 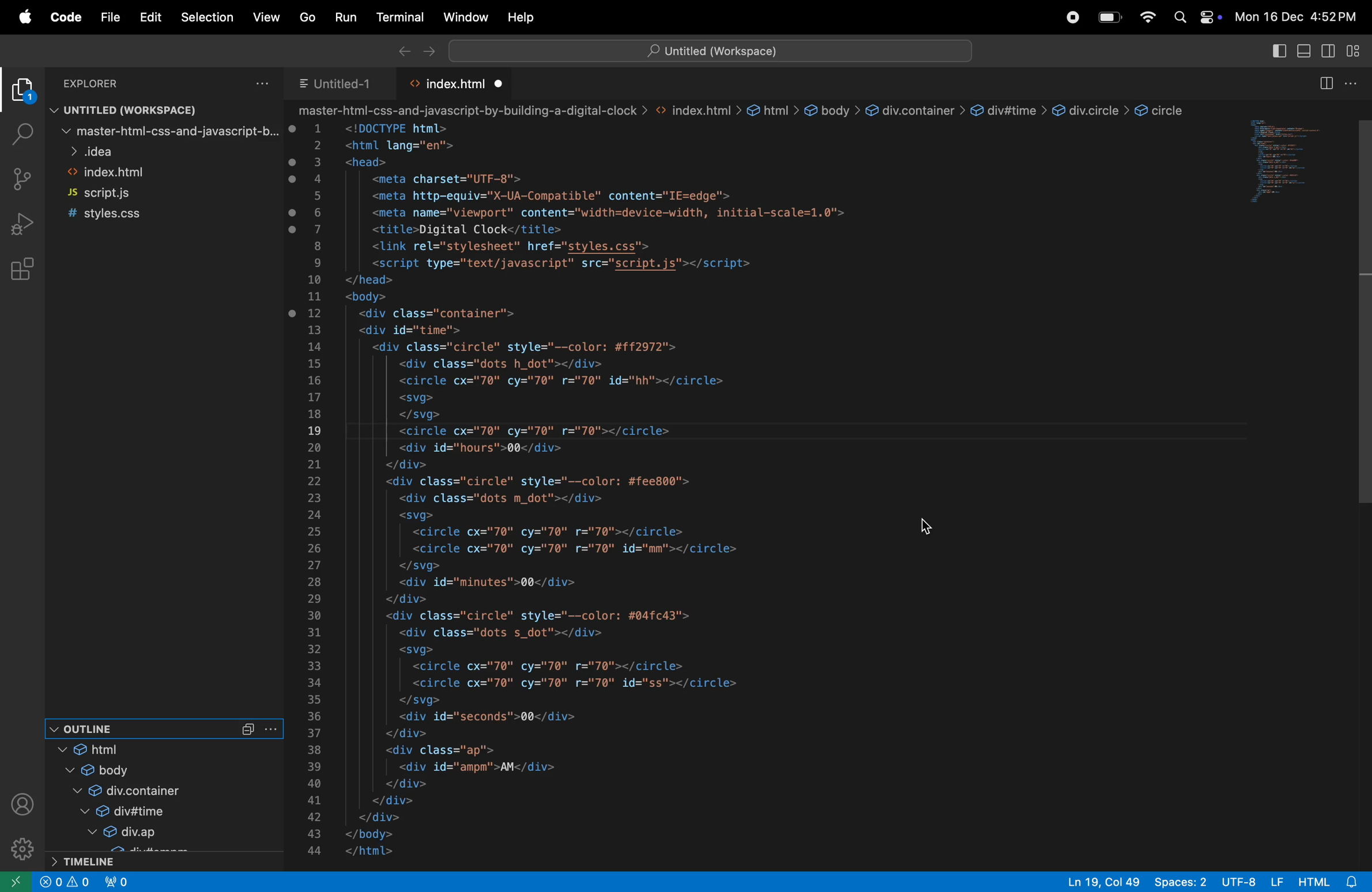 What do you see at coordinates (101, 862) in the screenshot?
I see `timeline` at bounding box center [101, 862].